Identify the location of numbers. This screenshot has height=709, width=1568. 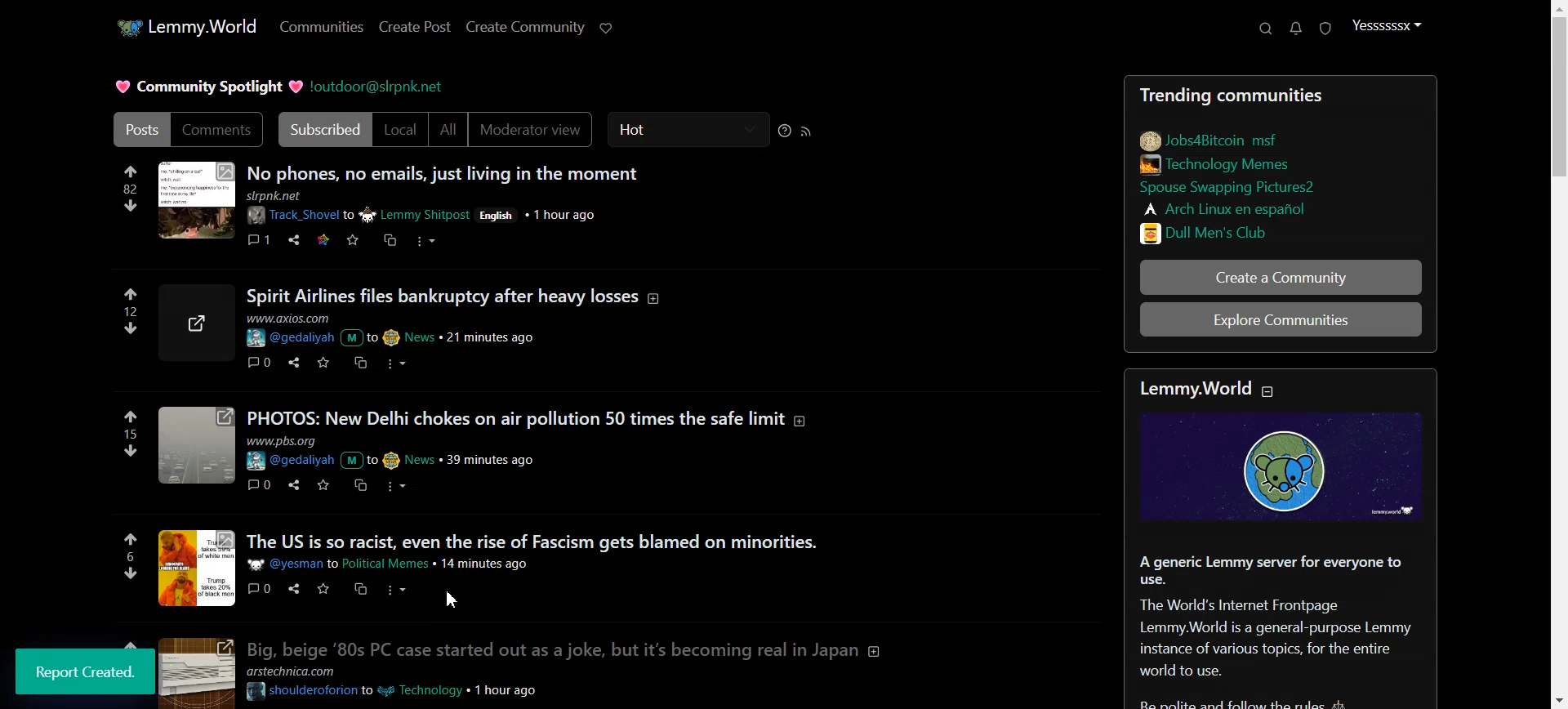
(132, 310).